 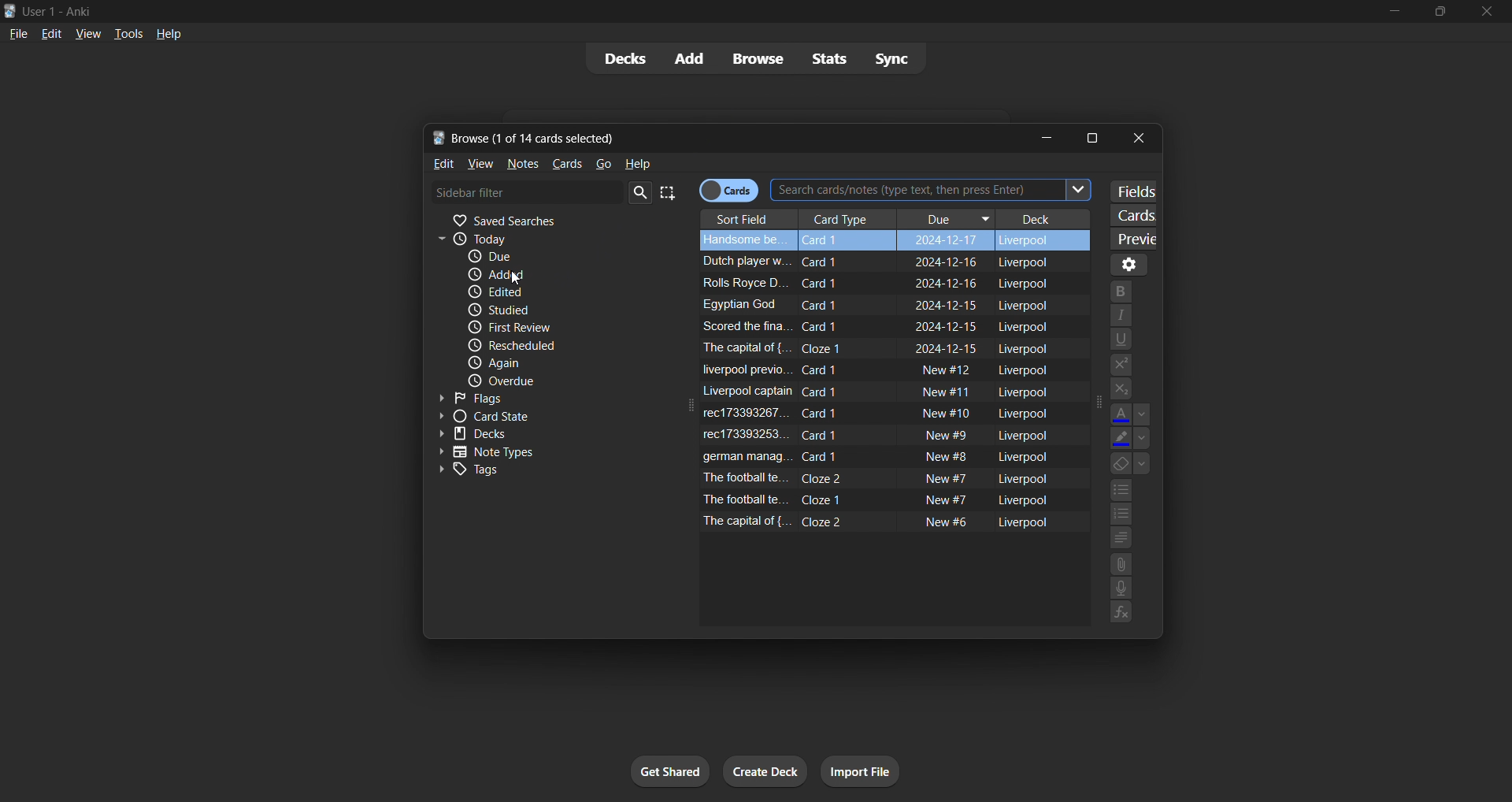 What do you see at coordinates (878, 434) in the screenshot?
I see `rec173393253... Card 1 New #9 Liverpool` at bounding box center [878, 434].